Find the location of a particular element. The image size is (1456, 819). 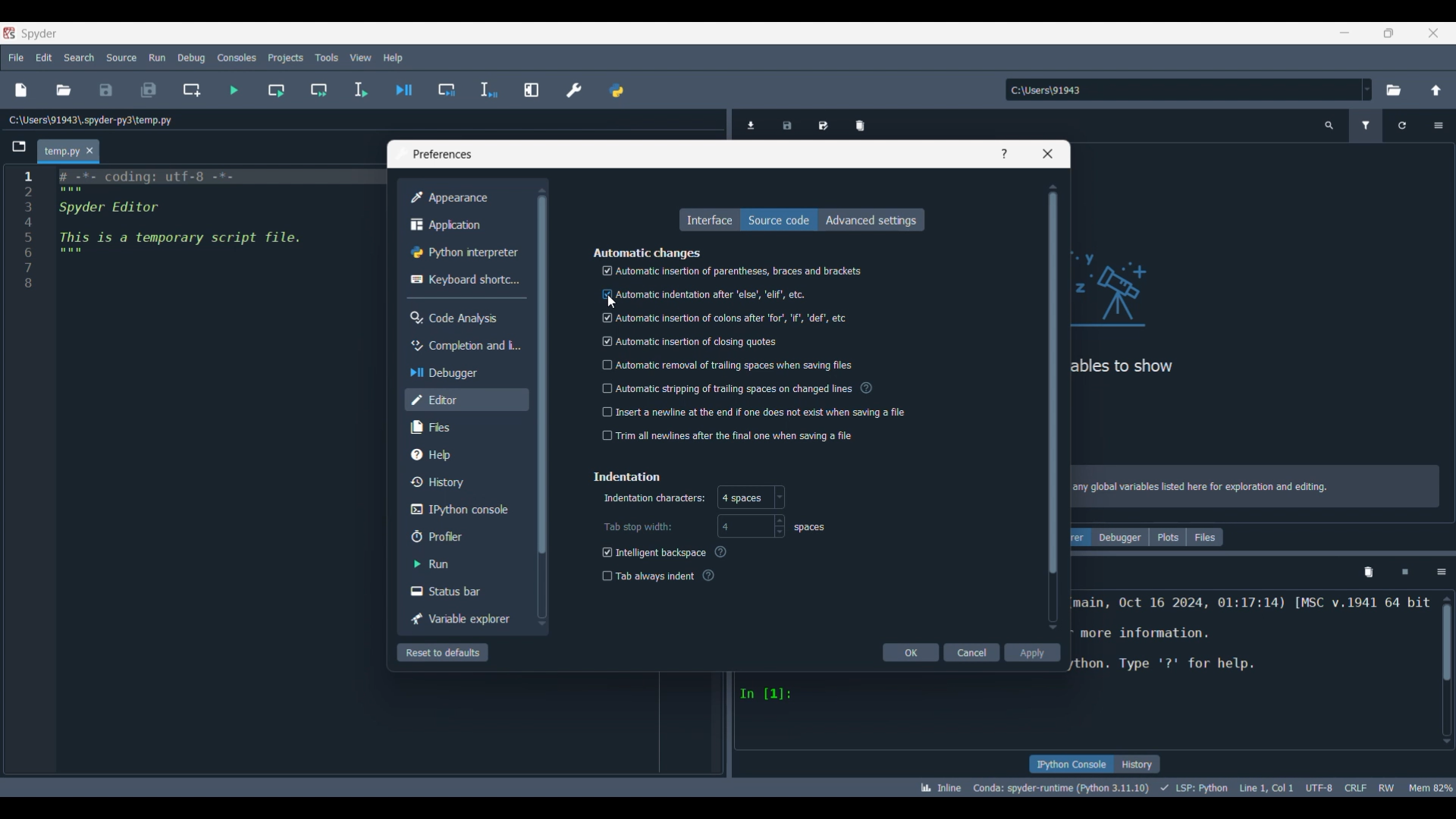

File location is located at coordinates (91, 120).